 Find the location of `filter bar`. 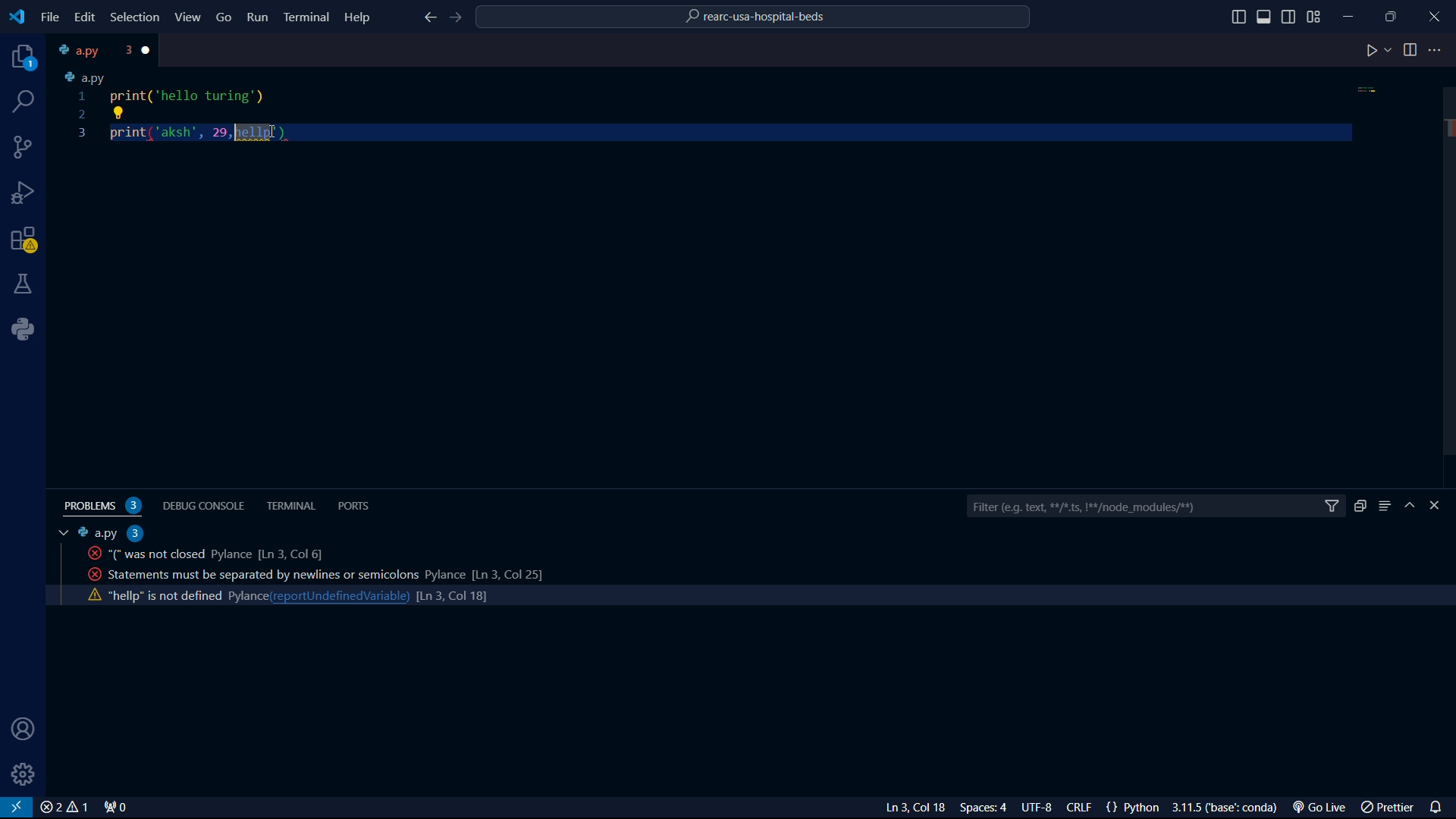

filter bar is located at coordinates (1155, 507).